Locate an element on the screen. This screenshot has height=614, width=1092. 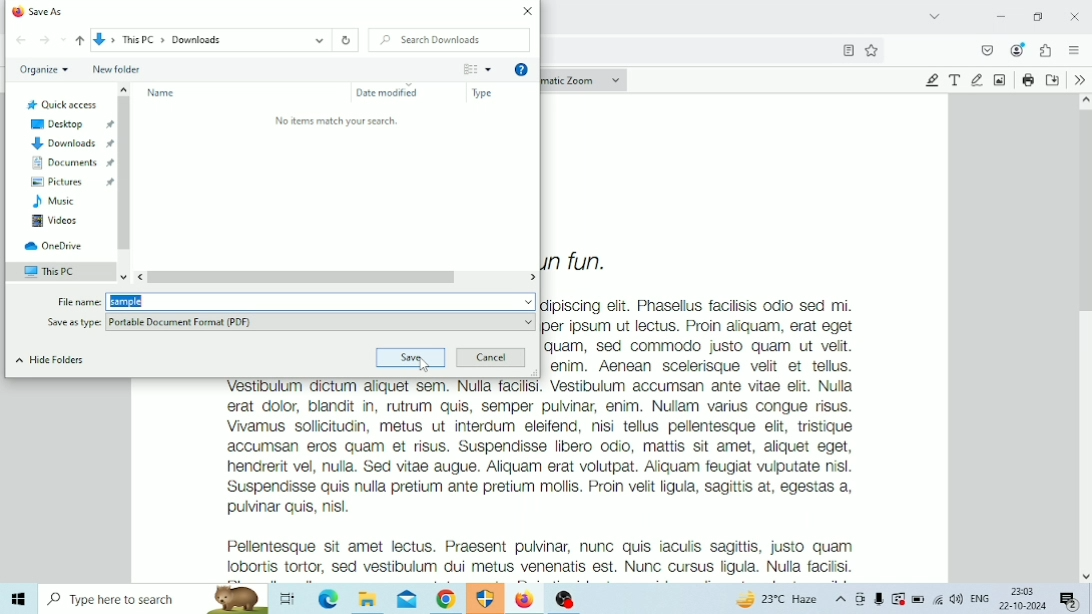
Save As is located at coordinates (47, 11).